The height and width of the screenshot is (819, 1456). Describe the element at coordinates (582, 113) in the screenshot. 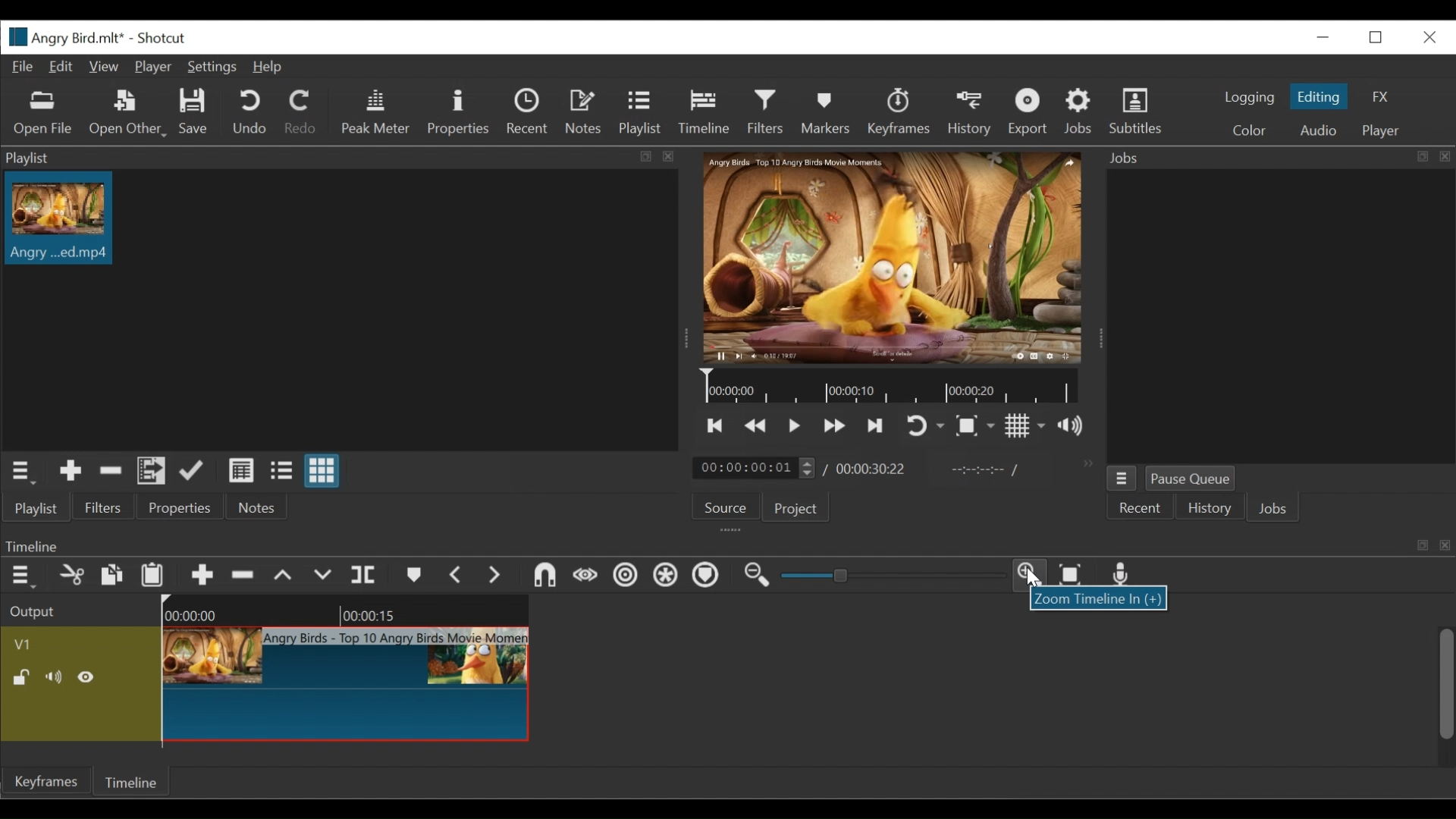

I see `Notes` at that location.